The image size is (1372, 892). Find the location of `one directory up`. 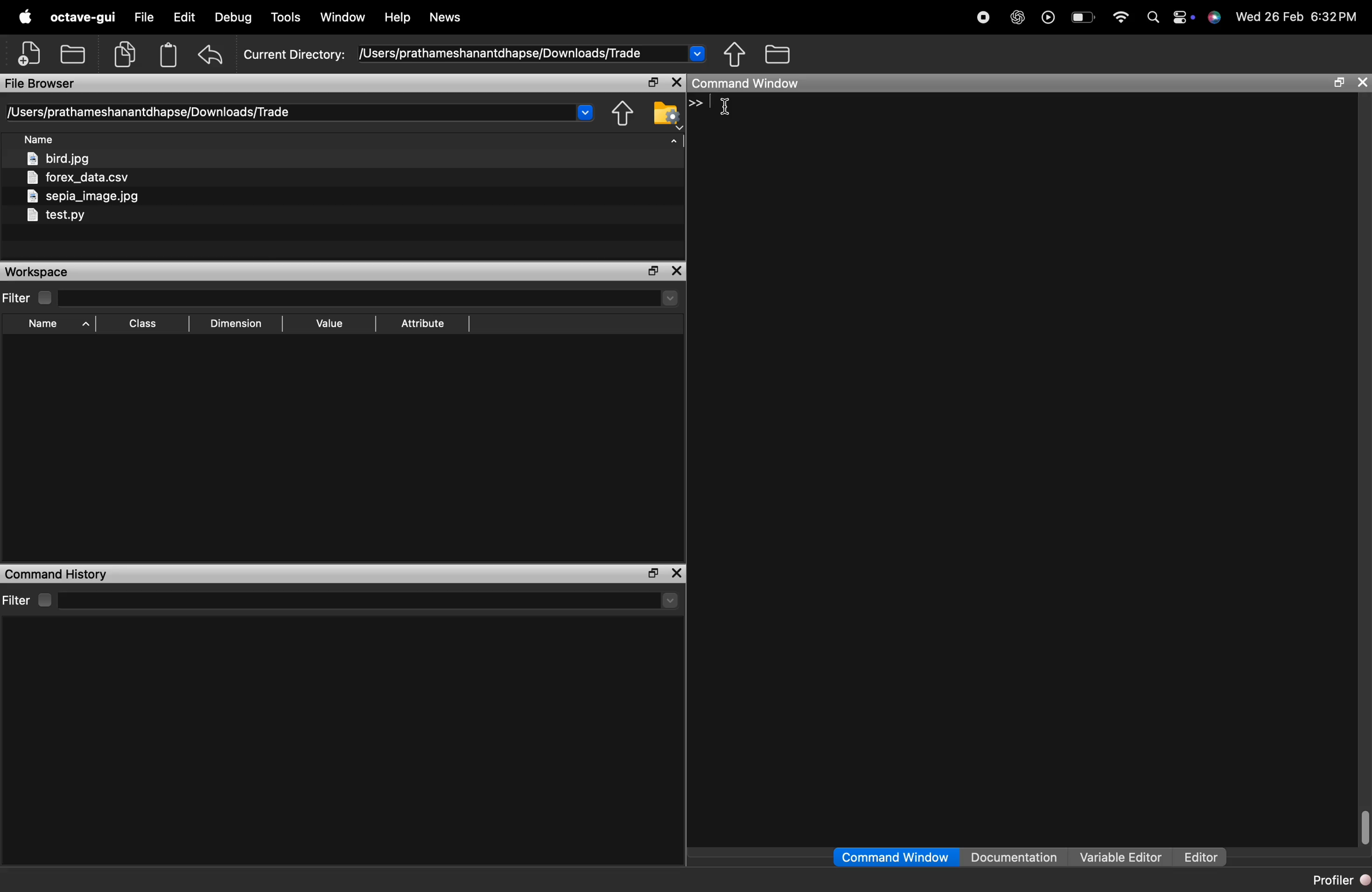

one directory up is located at coordinates (625, 114).